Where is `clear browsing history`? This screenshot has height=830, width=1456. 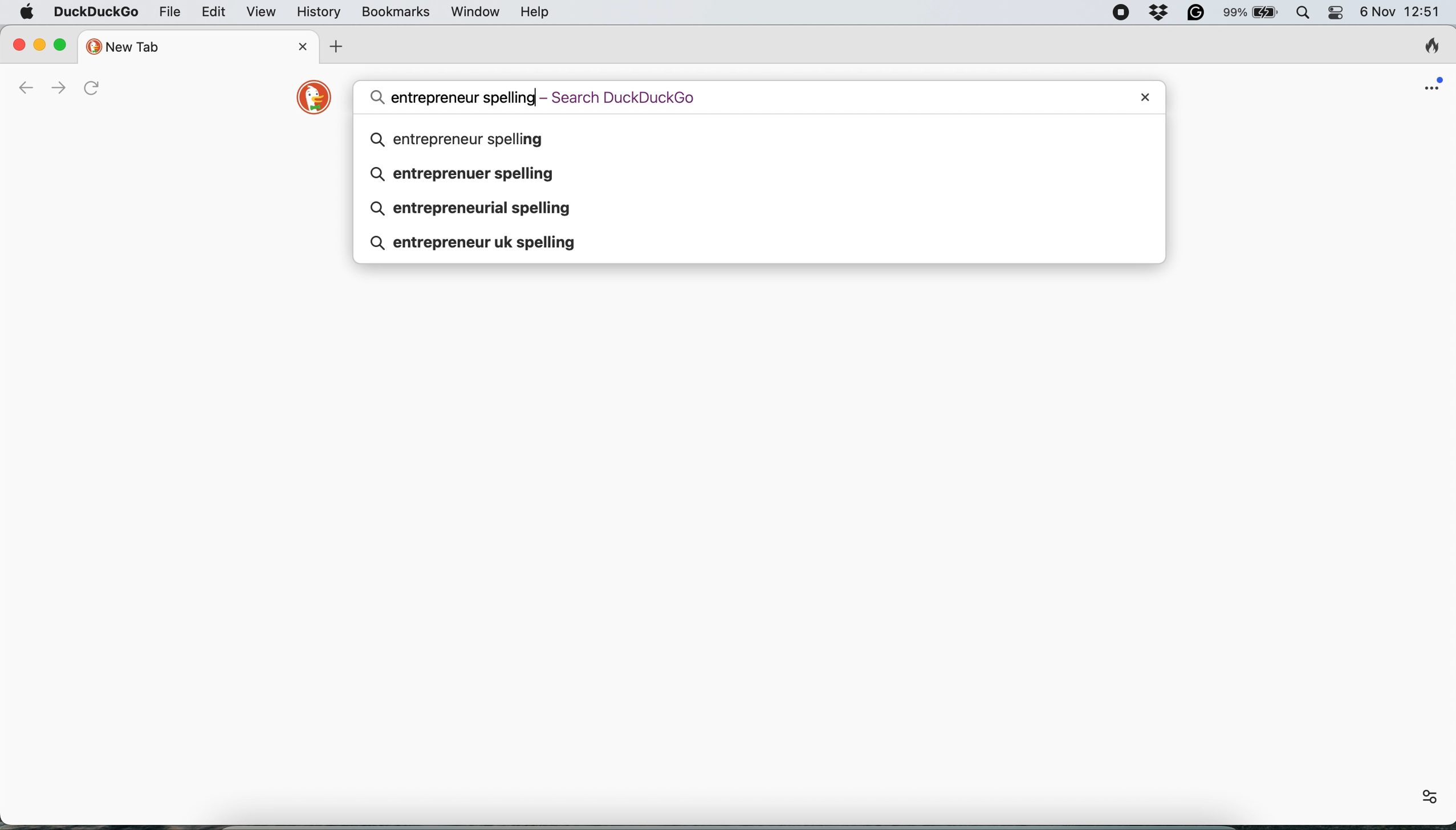 clear browsing history is located at coordinates (1426, 45).